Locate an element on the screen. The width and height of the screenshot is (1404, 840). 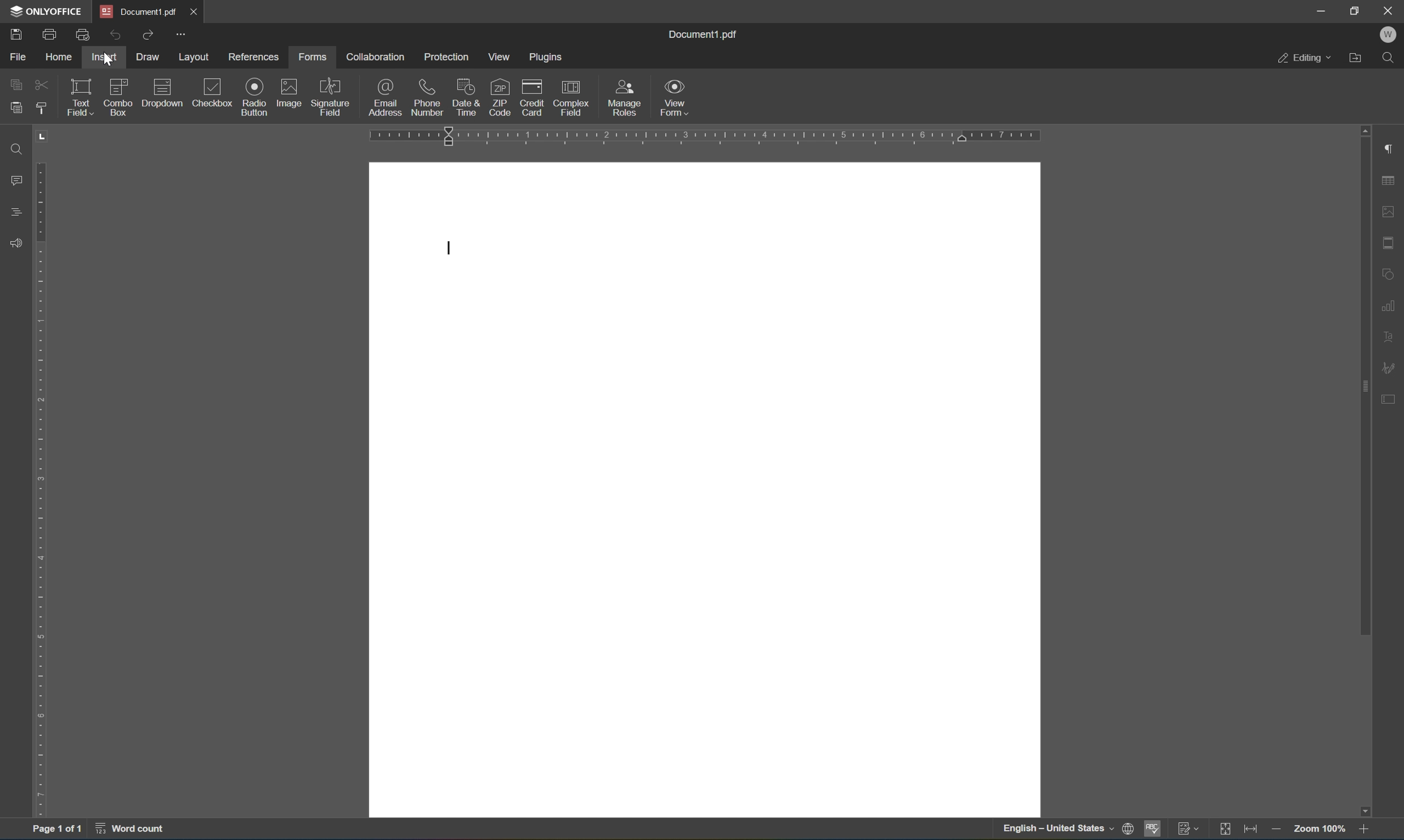
Image settings is located at coordinates (1393, 210).